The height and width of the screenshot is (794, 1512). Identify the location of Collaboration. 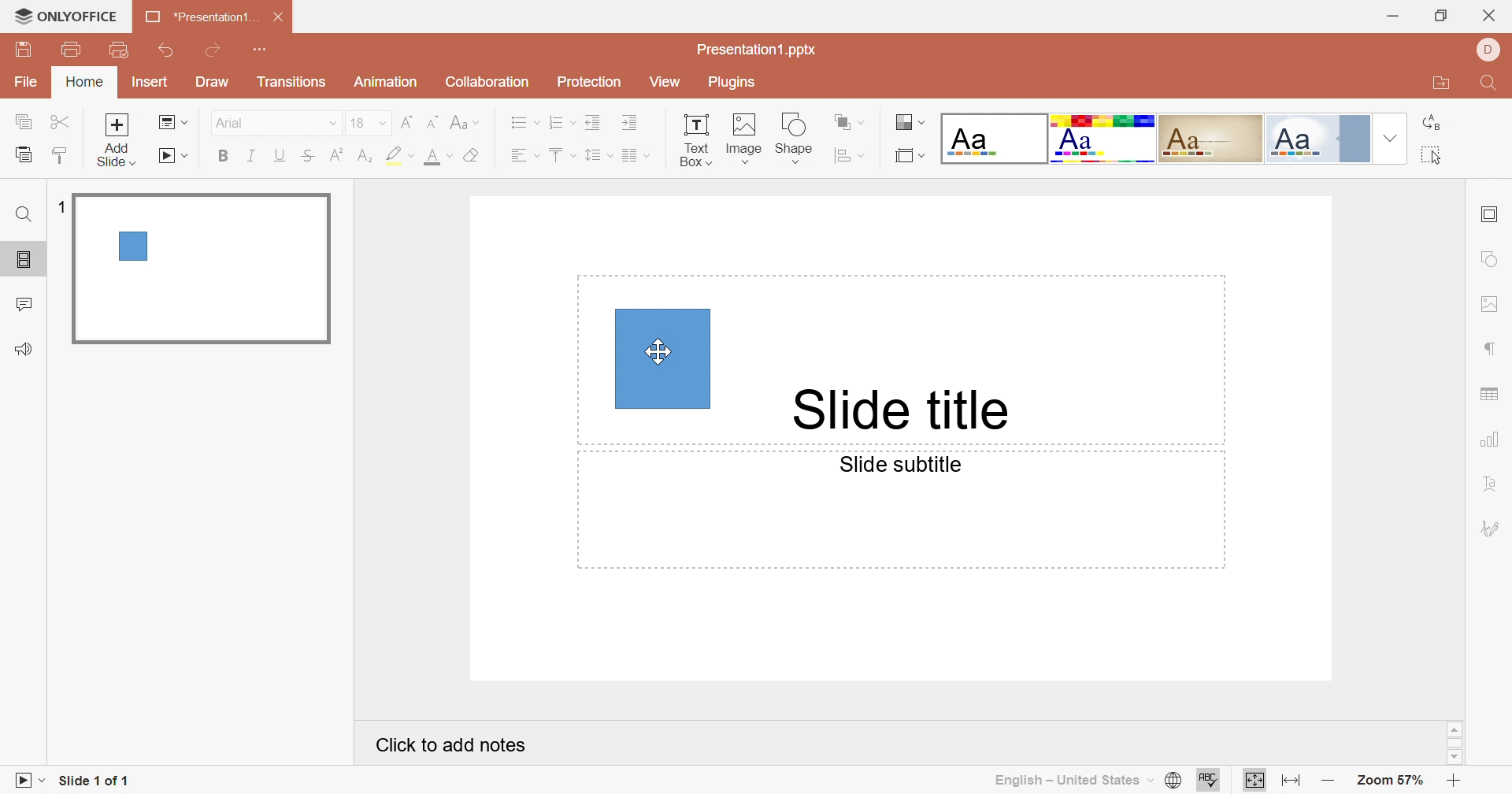
(488, 83).